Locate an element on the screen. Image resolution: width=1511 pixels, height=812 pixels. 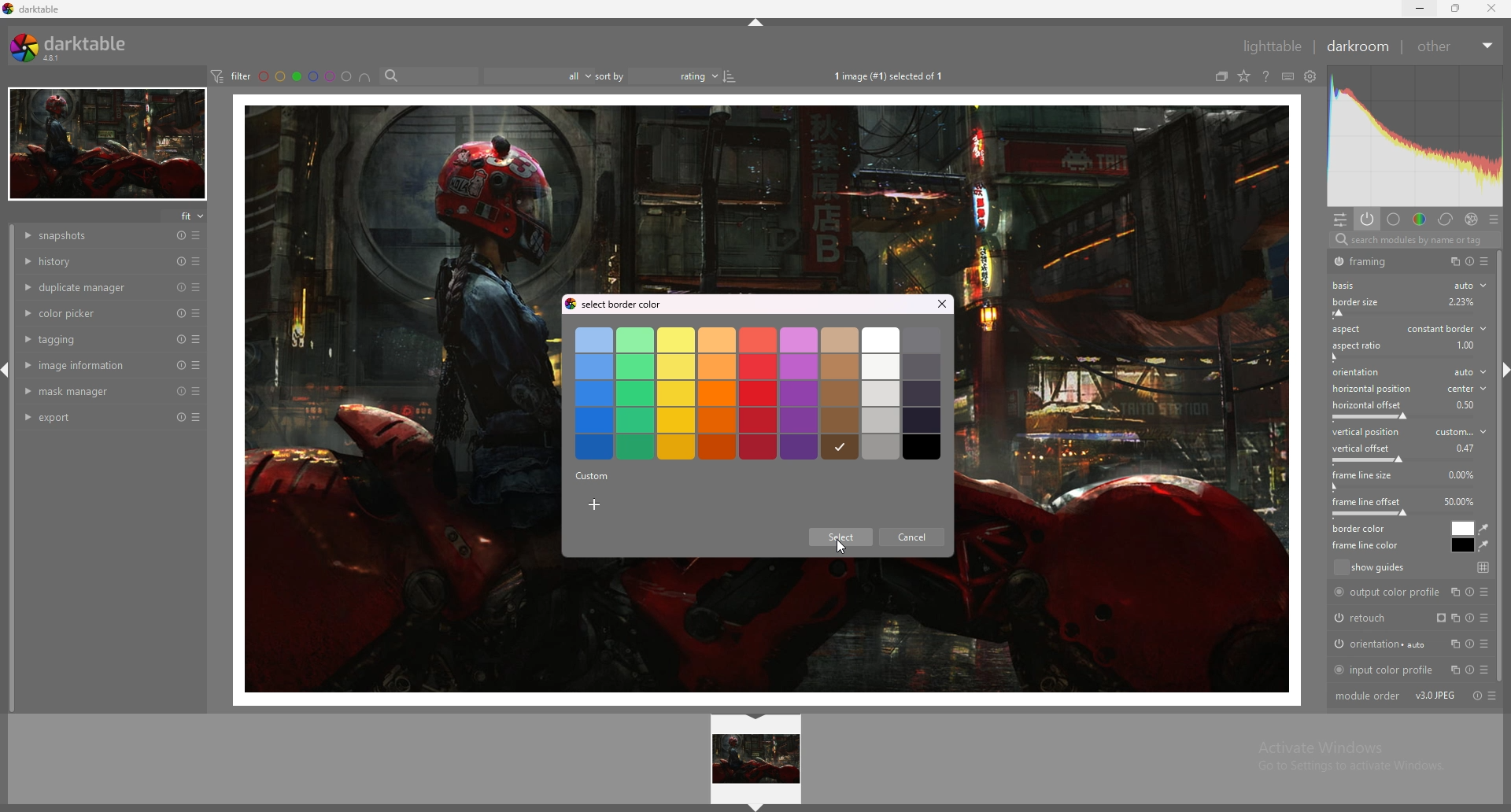
reset is located at coordinates (181, 287).